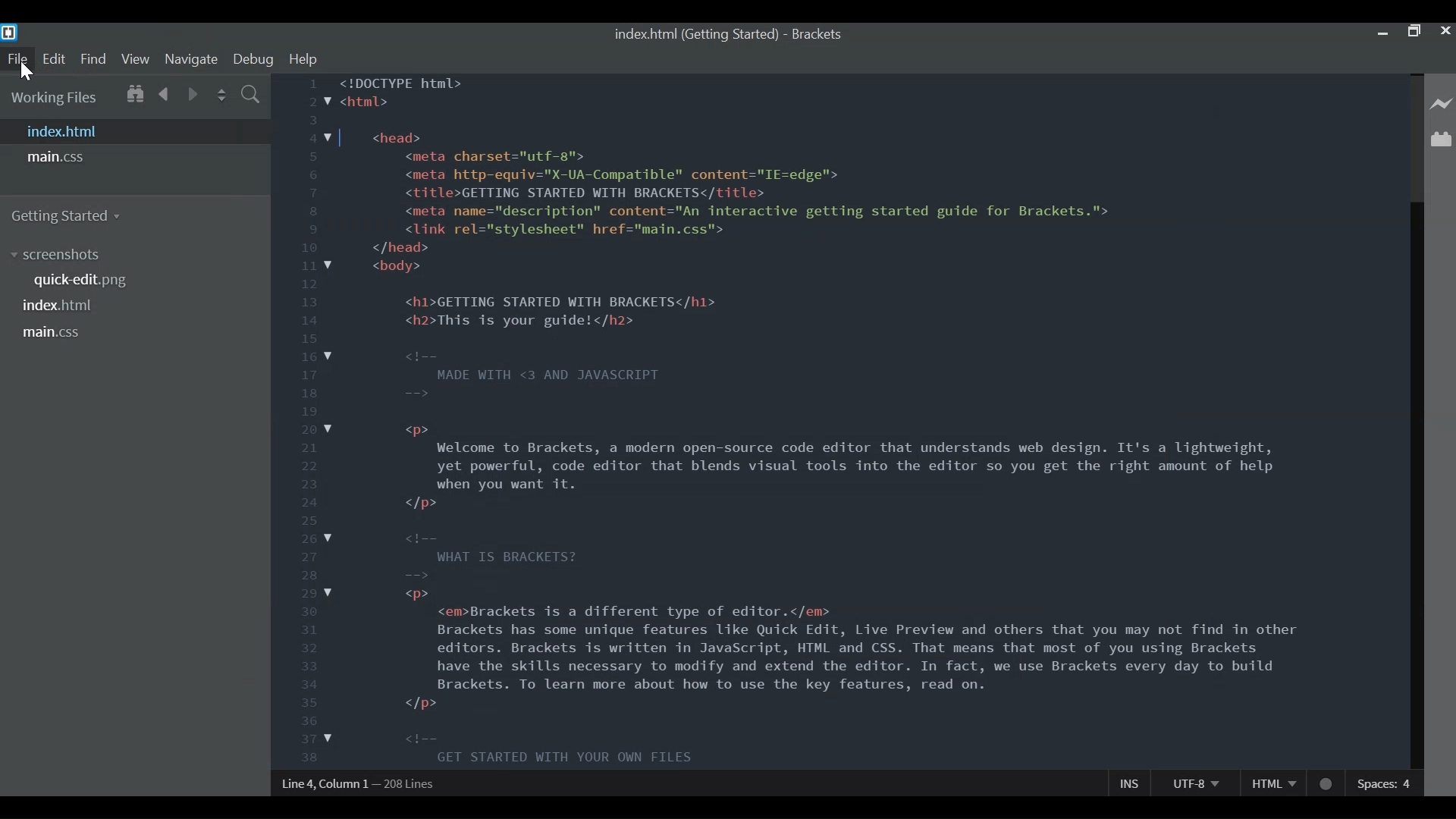 Image resolution: width=1456 pixels, height=819 pixels. What do you see at coordinates (61, 306) in the screenshot?
I see `index.html` at bounding box center [61, 306].